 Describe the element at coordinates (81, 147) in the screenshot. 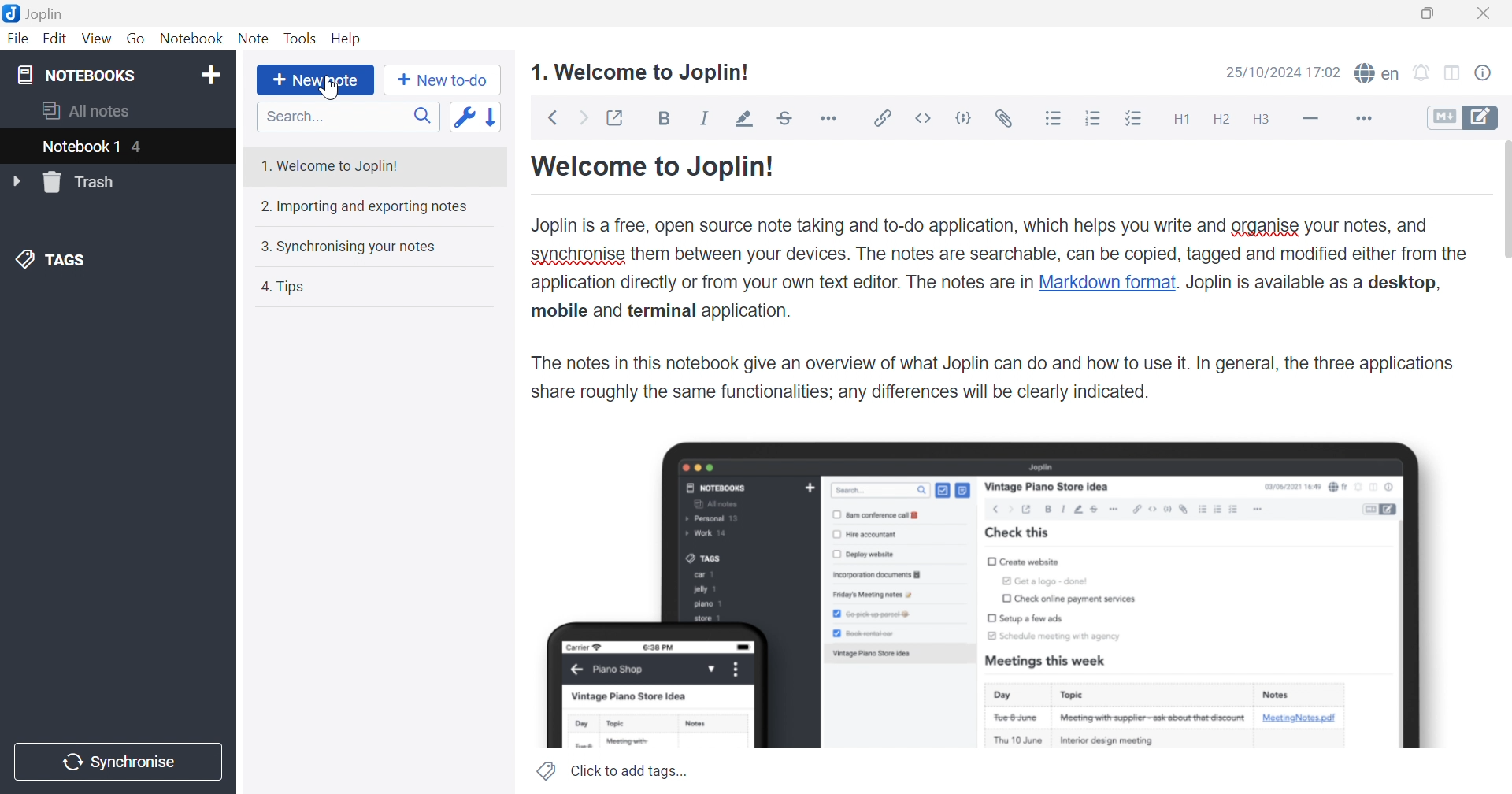

I see `Notebook 1` at that location.